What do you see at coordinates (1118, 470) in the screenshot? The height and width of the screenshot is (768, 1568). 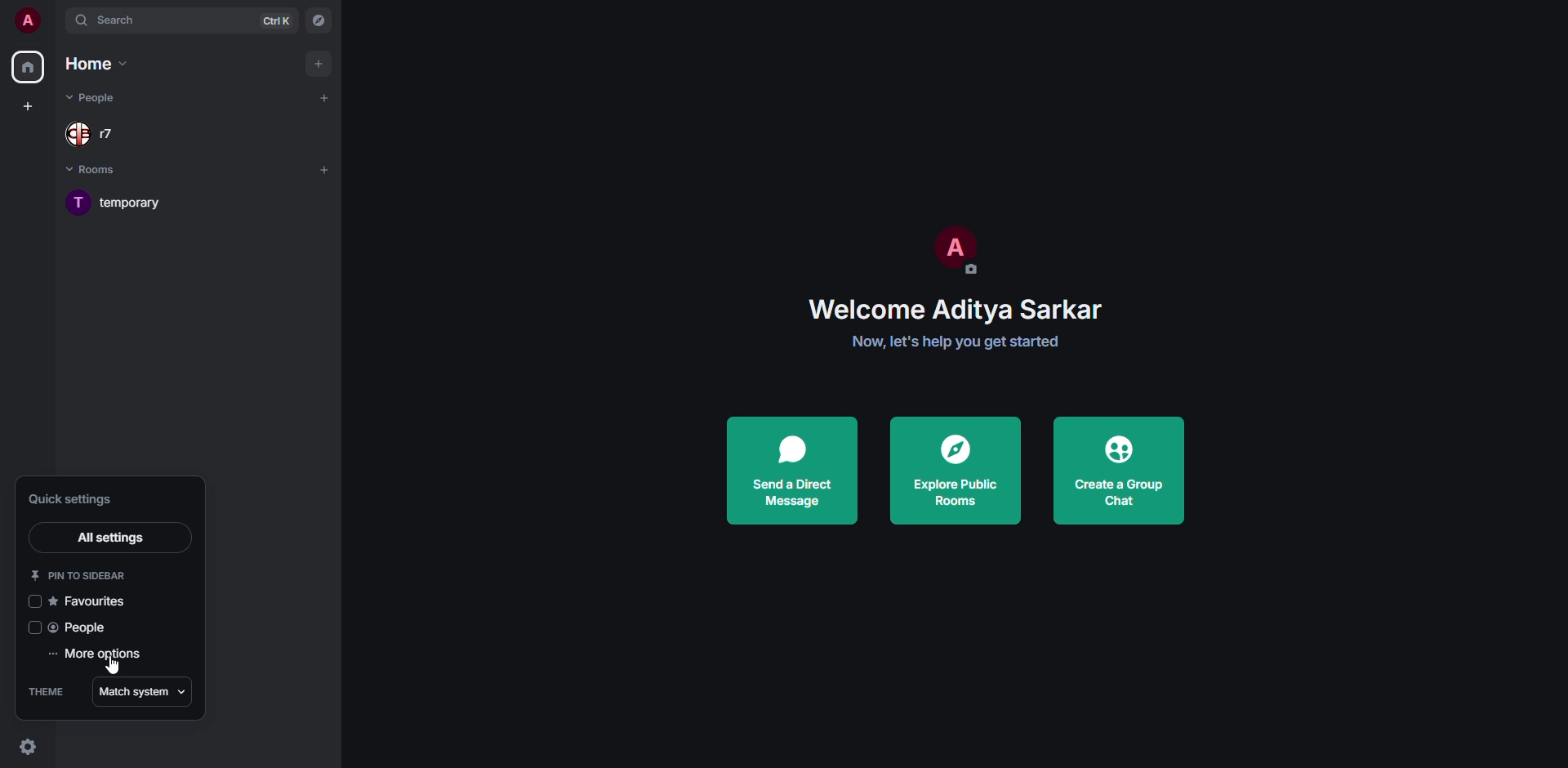 I see `create a group chat` at bounding box center [1118, 470].